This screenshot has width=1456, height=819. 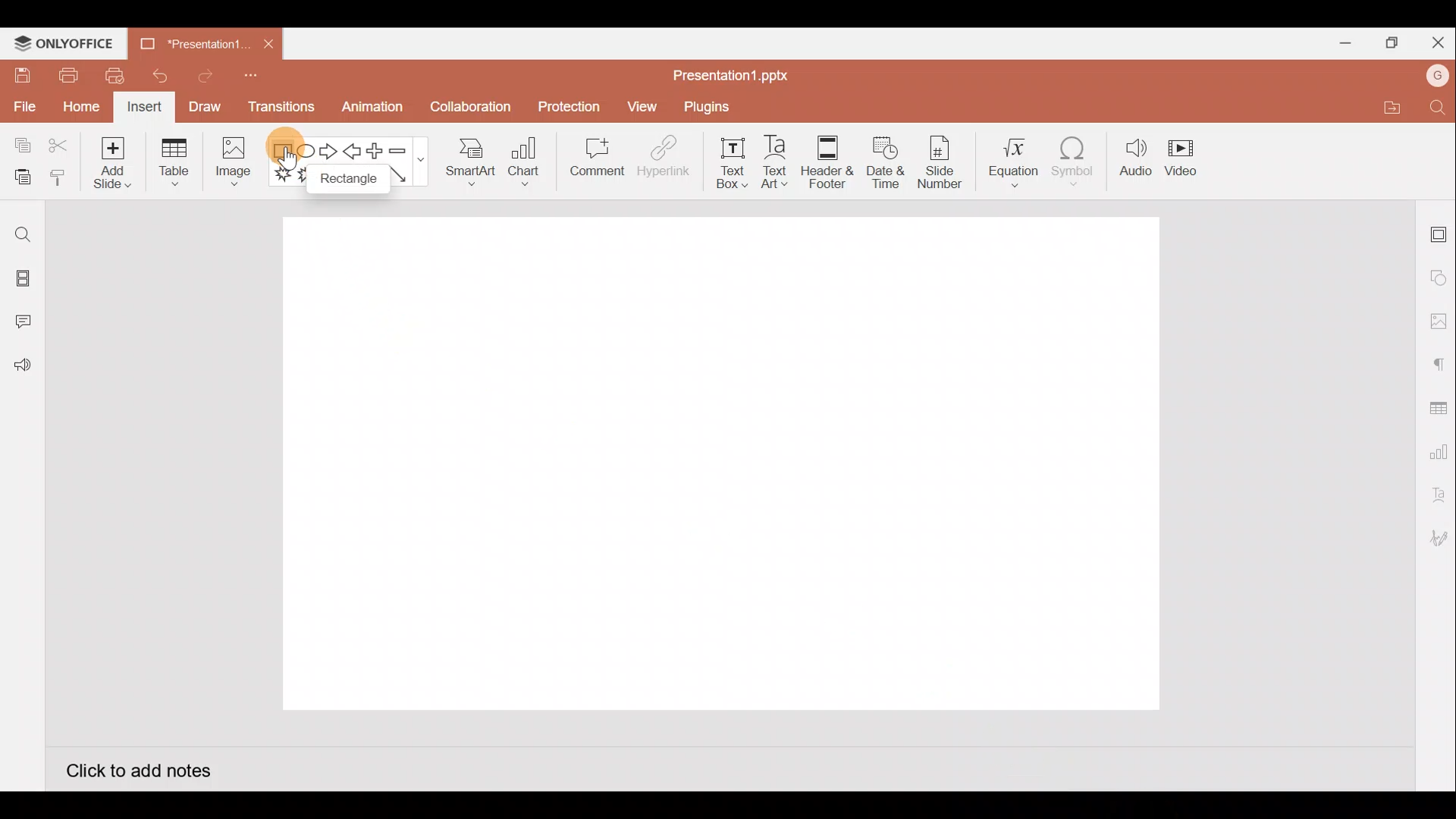 What do you see at coordinates (22, 369) in the screenshot?
I see `Feedback and Support` at bounding box center [22, 369].